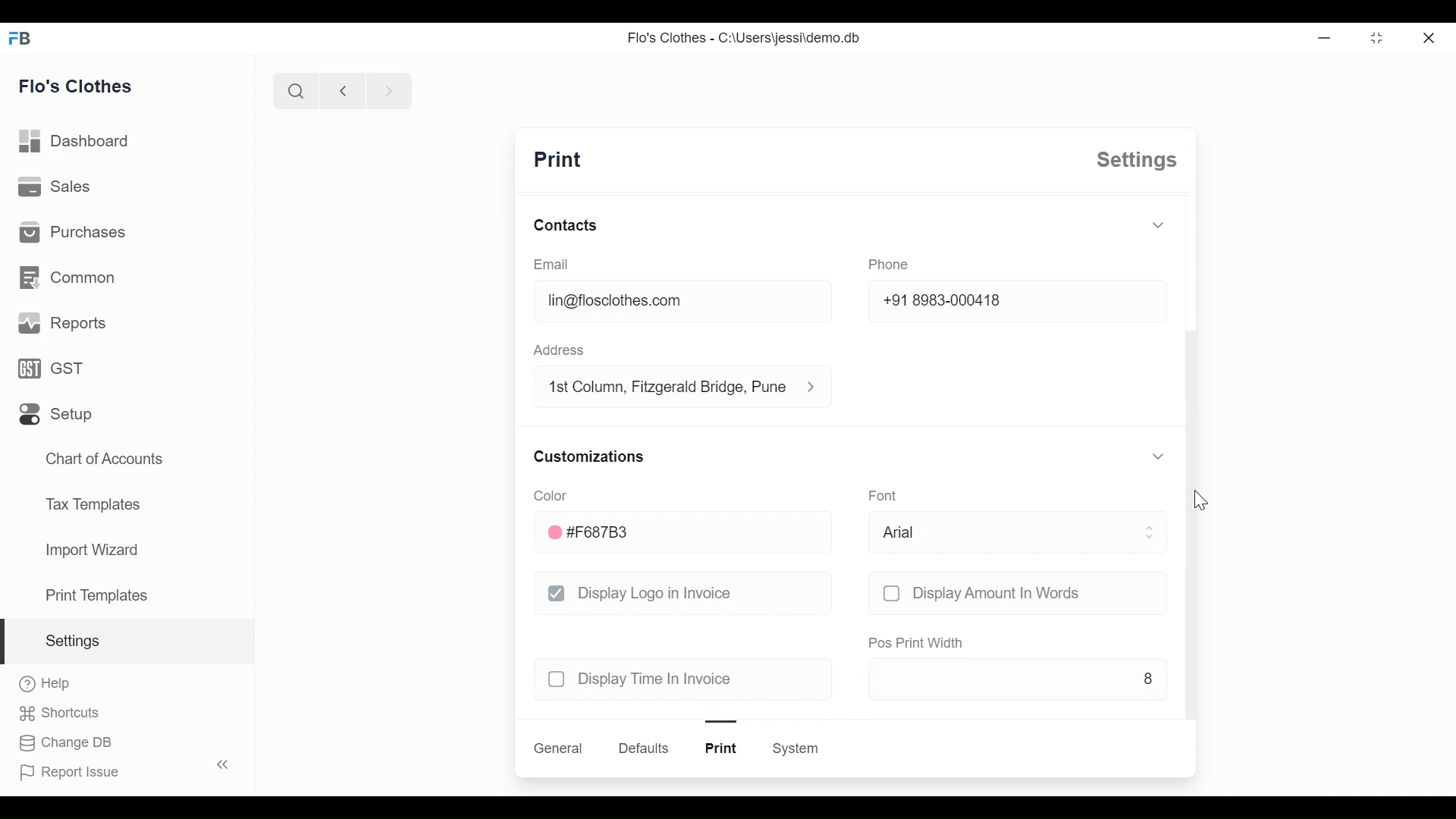  I want to click on purchases, so click(71, 231).